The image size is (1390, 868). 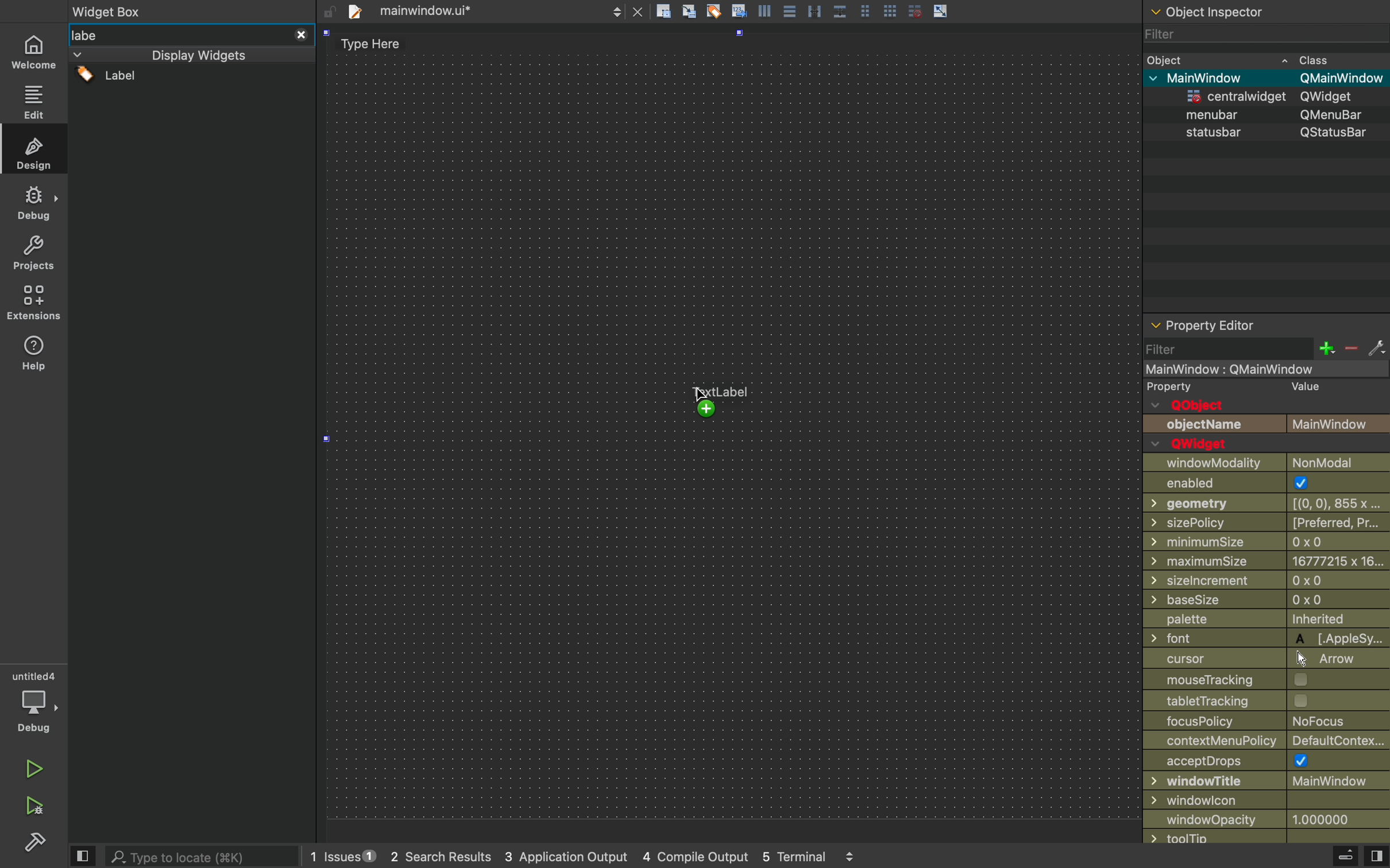 What do you see at coordinates (1275, 96) in the screenshot?
I see `widjget` at bounding box center [1275, 96].